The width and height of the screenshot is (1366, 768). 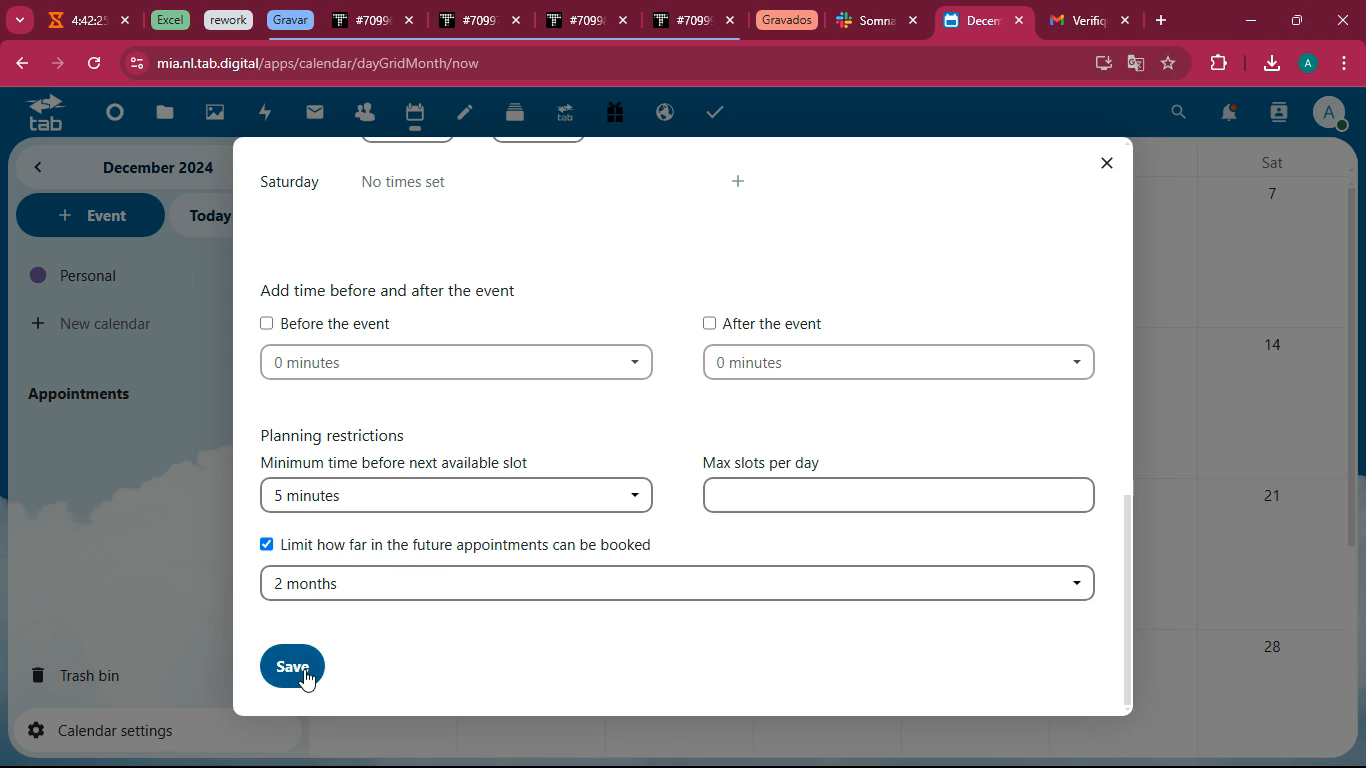 What do you see at coordinates (167, 20) in the screenshot?
I see `tab` at bounding box center [167, 20].